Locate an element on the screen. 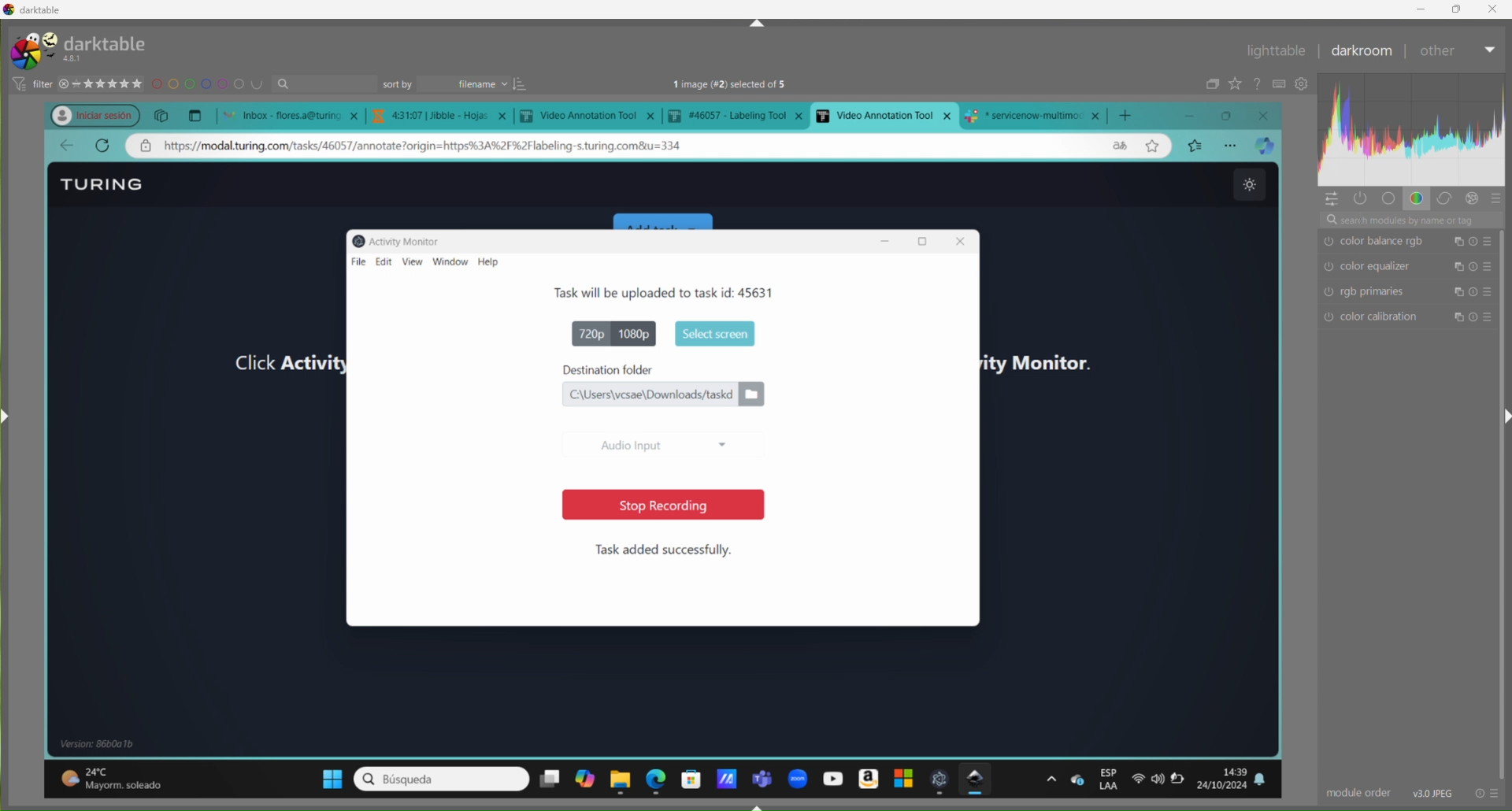 The width and height of the screenshot is (1512, 811). private address is located at coordinates (149, 147).